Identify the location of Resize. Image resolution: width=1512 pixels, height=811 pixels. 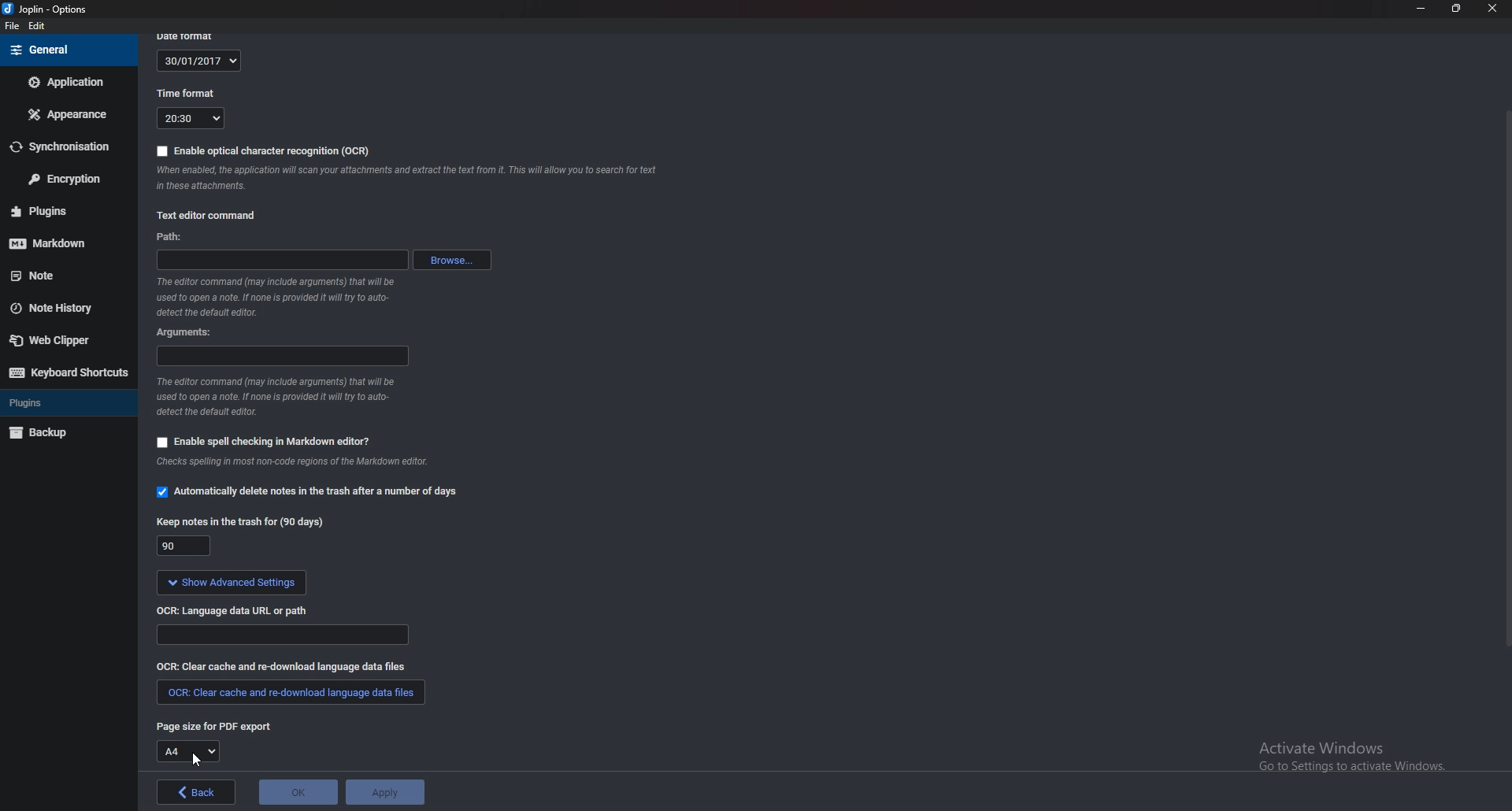
(1457, 9).